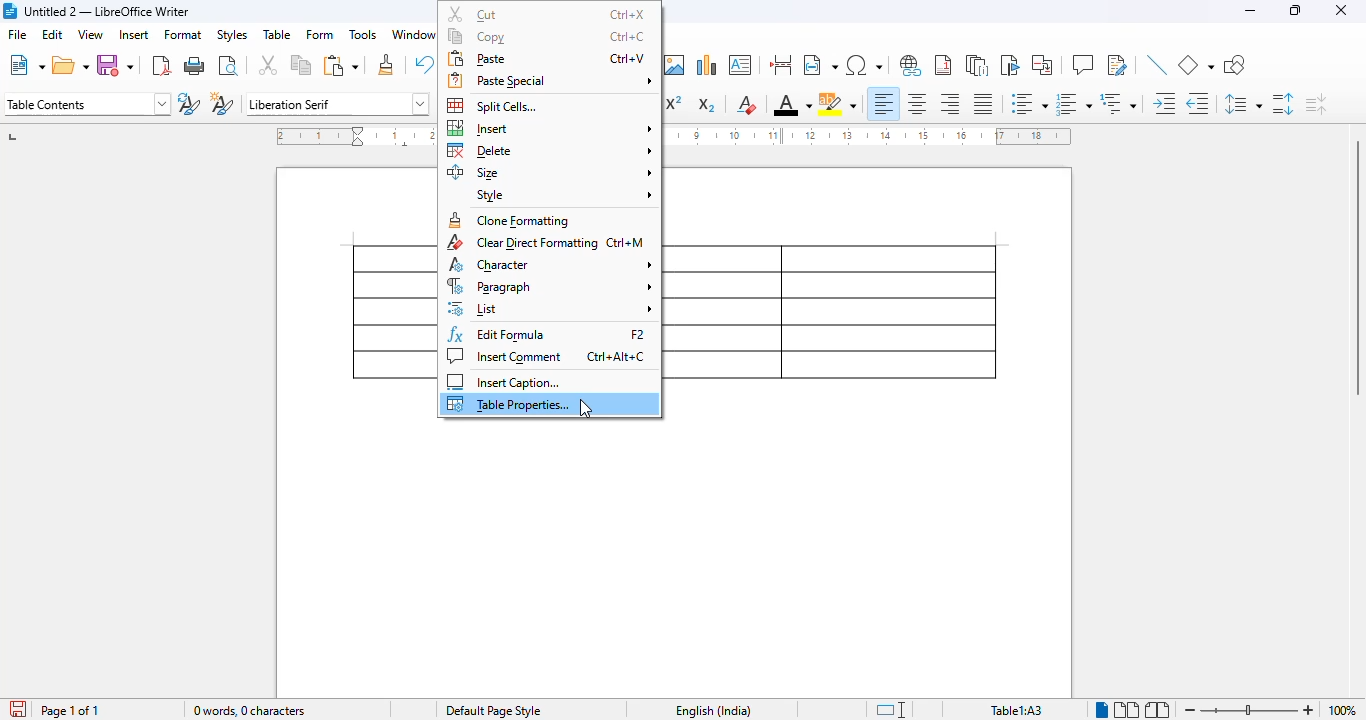  What do you see at coordinates (232, 35) in the screenshot?
I see `styles` at bounding box center [232, 35].